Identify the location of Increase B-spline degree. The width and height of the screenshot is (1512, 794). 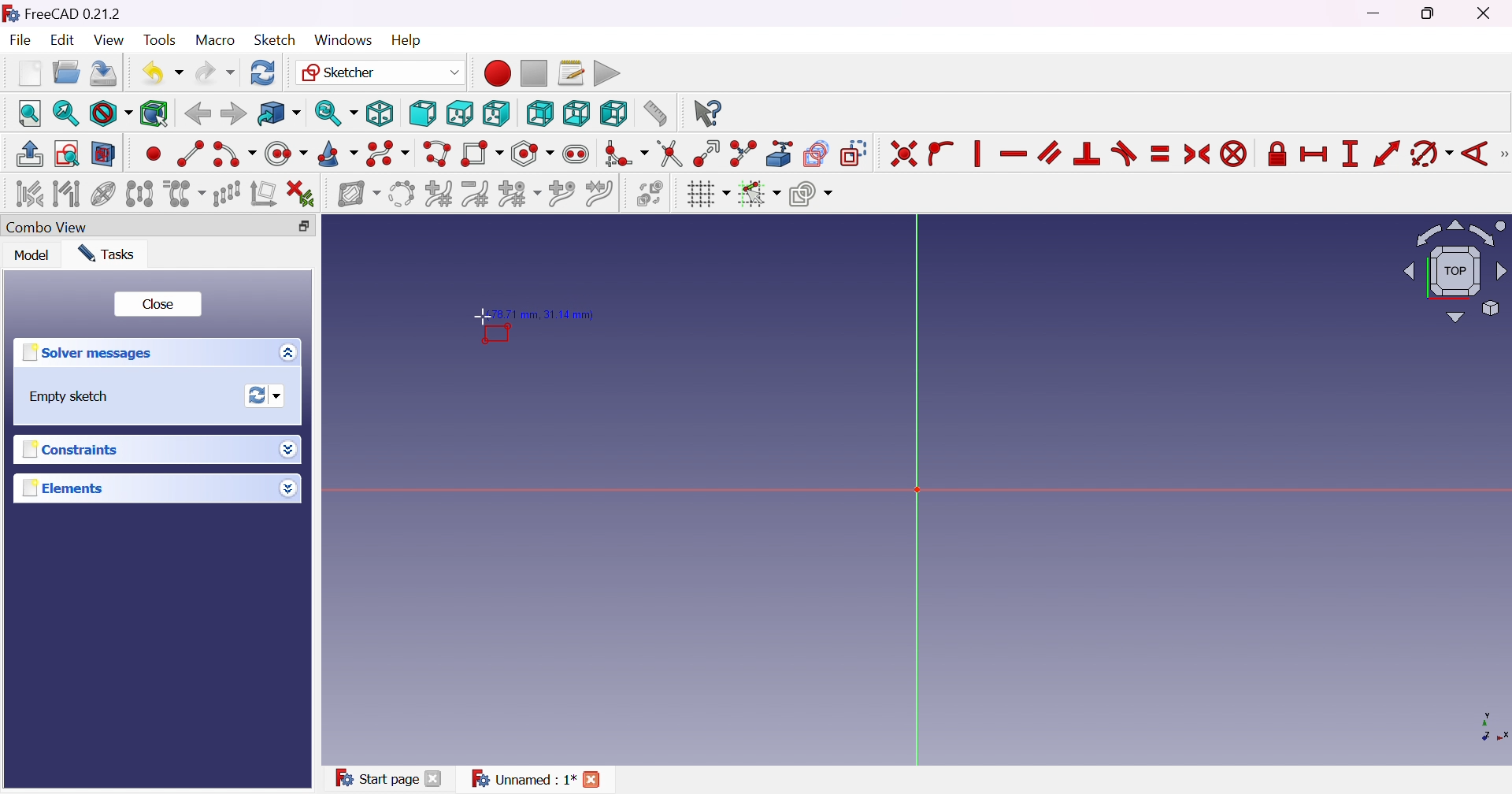
(439, 192).